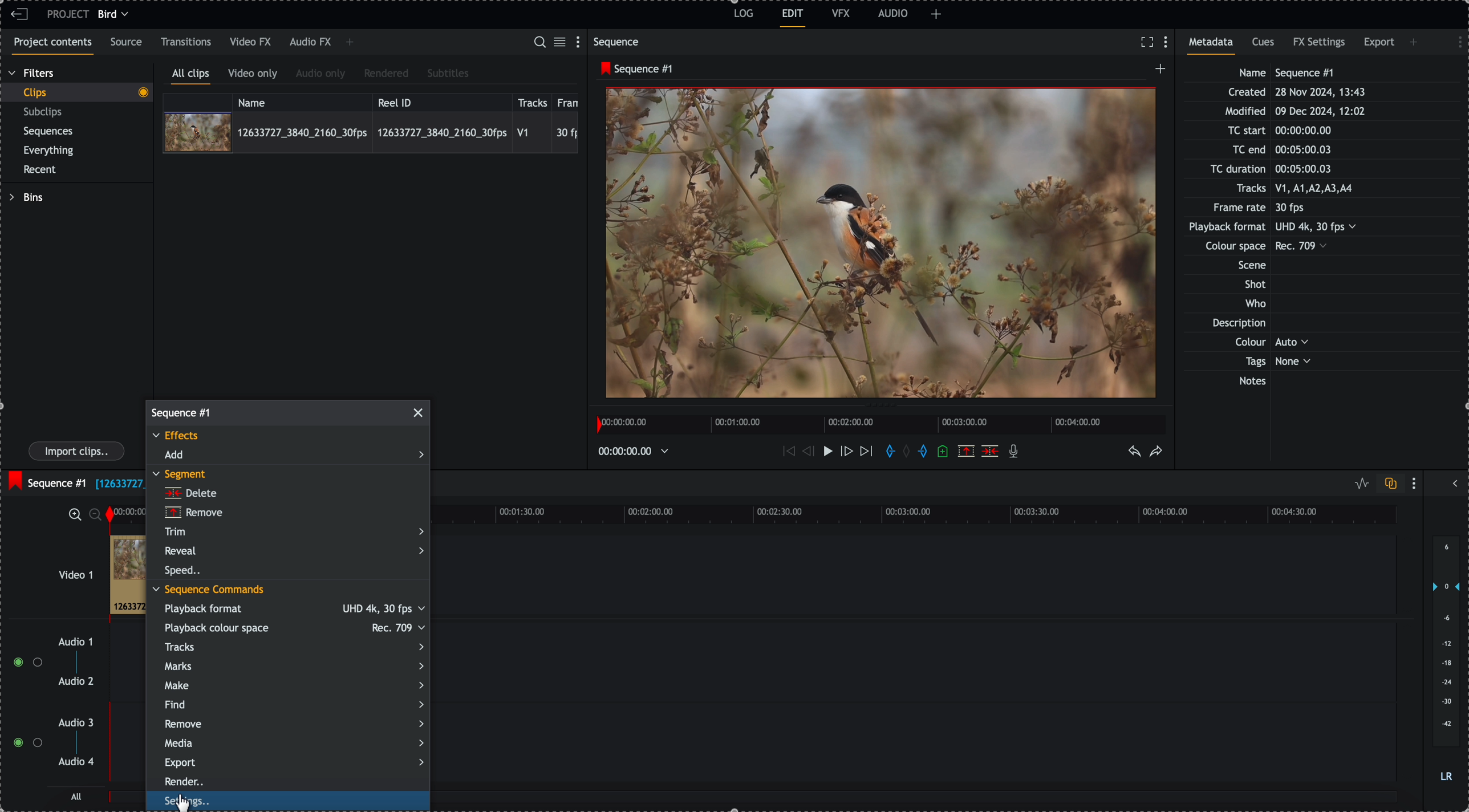 This screenshot has height=812, width=1469. I want to click on clear marks, so click(910, 452).